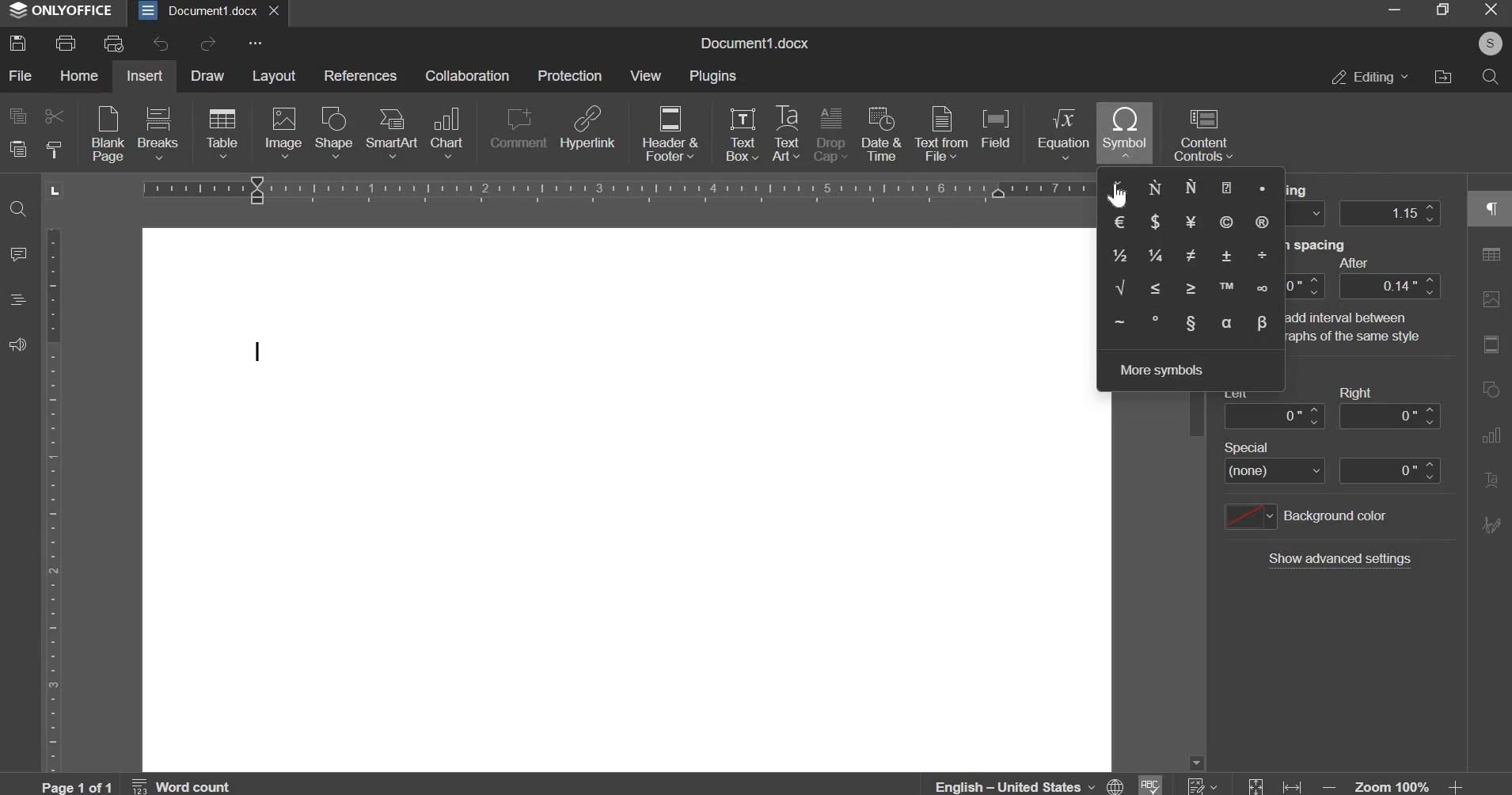 The image size is (1512, 795). I want to click on right side bar, so click(1487, 363).